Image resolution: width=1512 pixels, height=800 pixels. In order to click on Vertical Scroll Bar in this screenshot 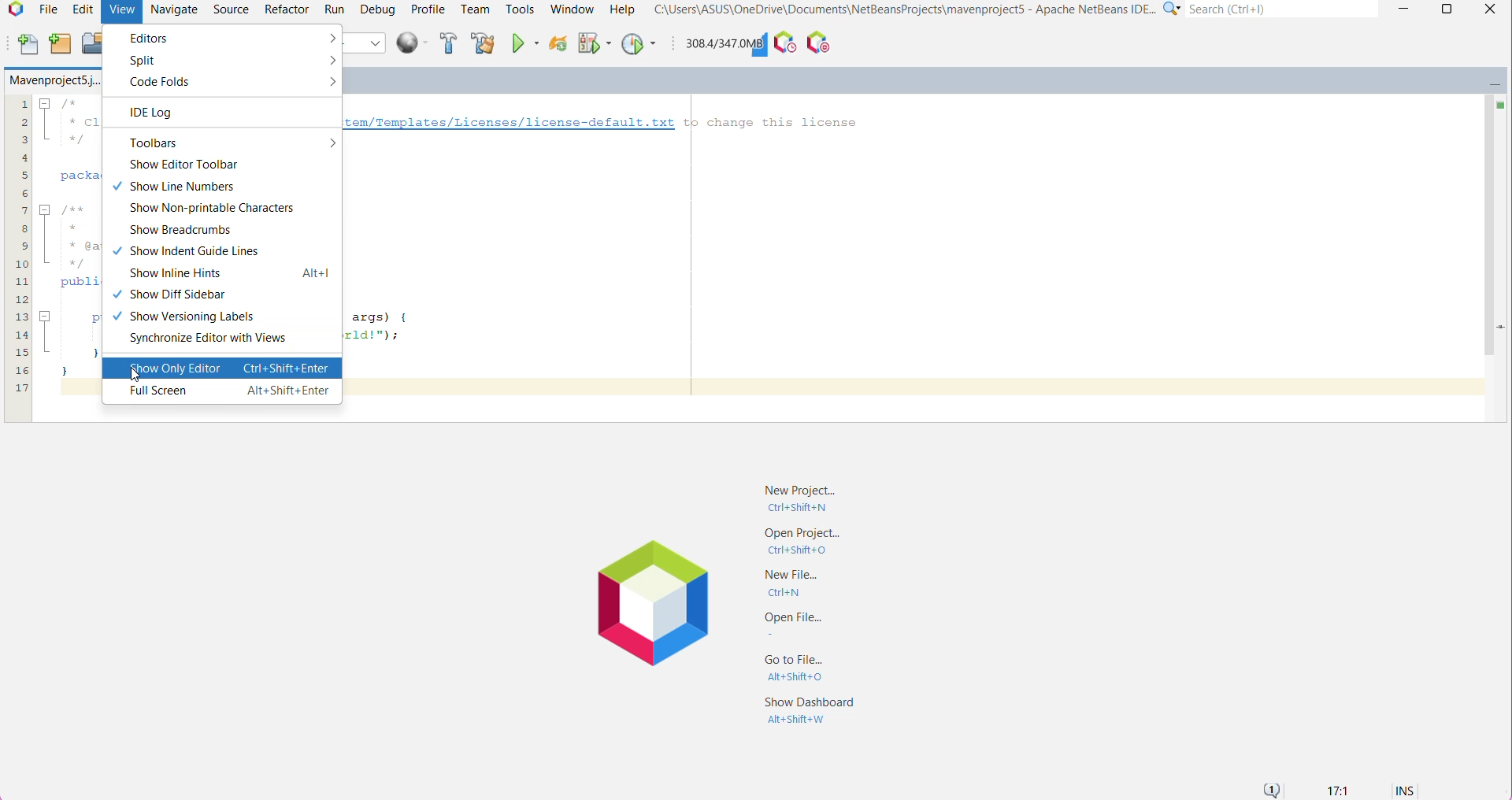, I will do `click(1488, 257)`.